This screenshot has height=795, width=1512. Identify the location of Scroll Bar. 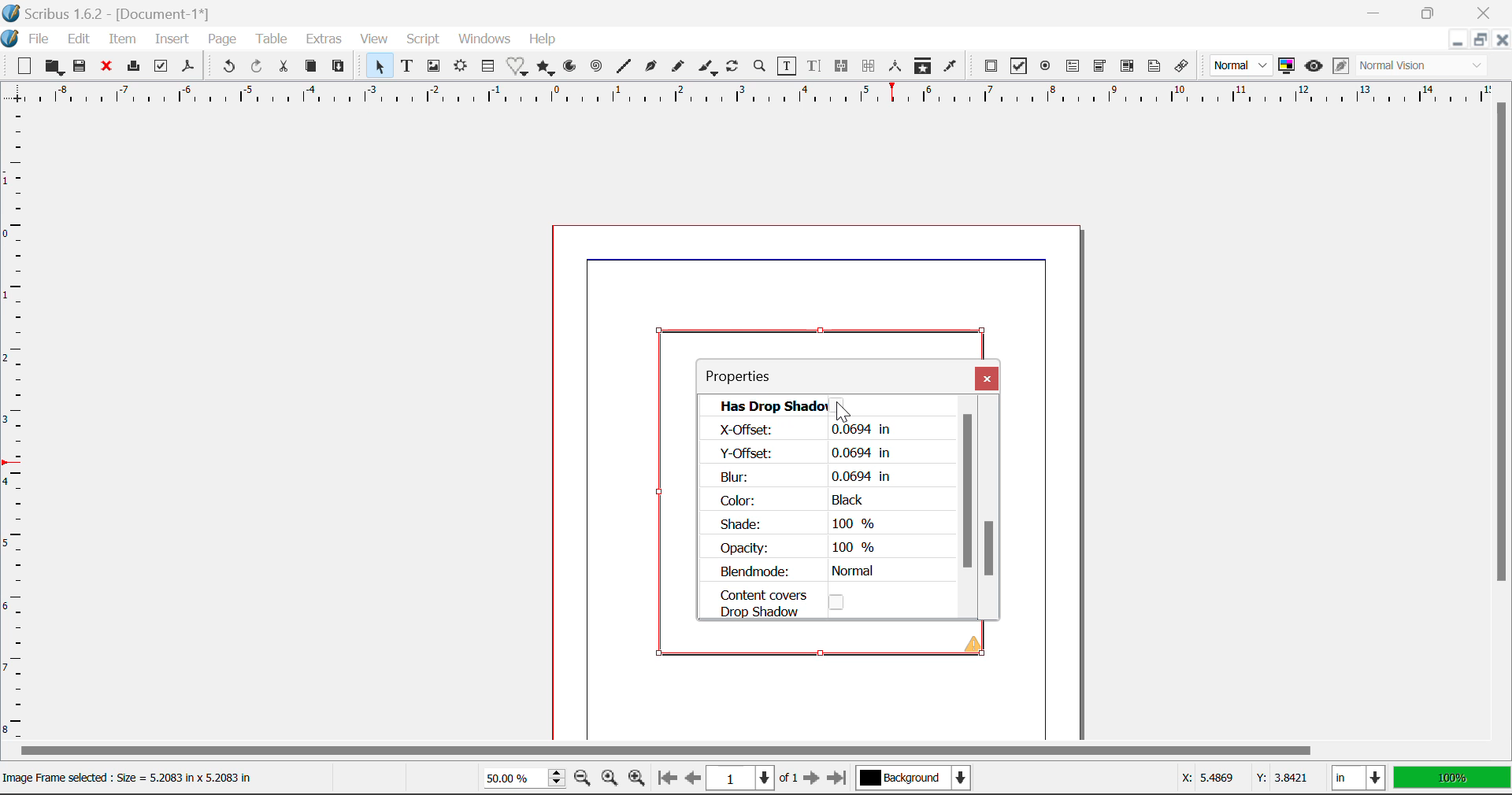
(972, 515).